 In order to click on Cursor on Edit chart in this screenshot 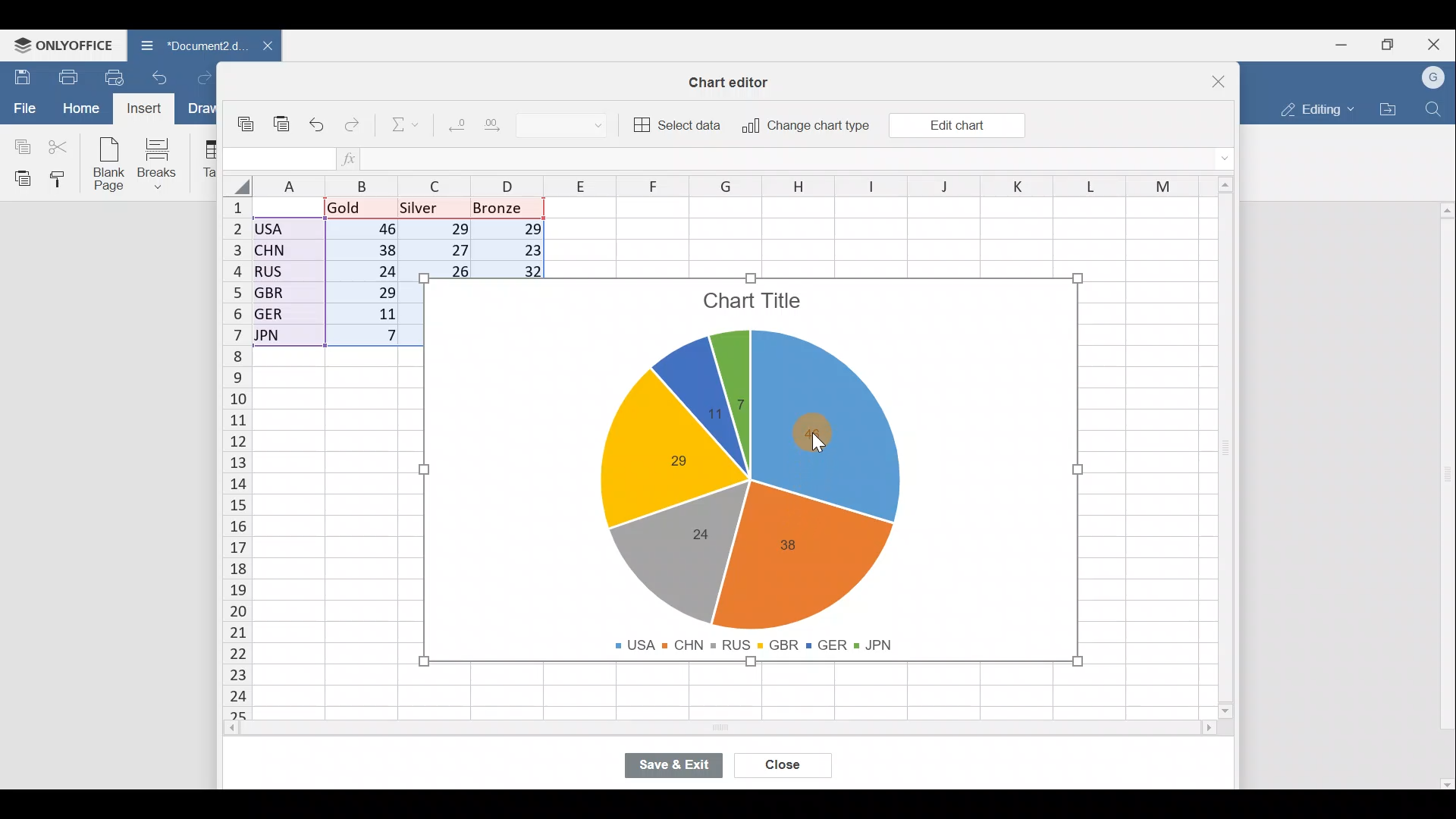, I will do `click(965, 127)`.